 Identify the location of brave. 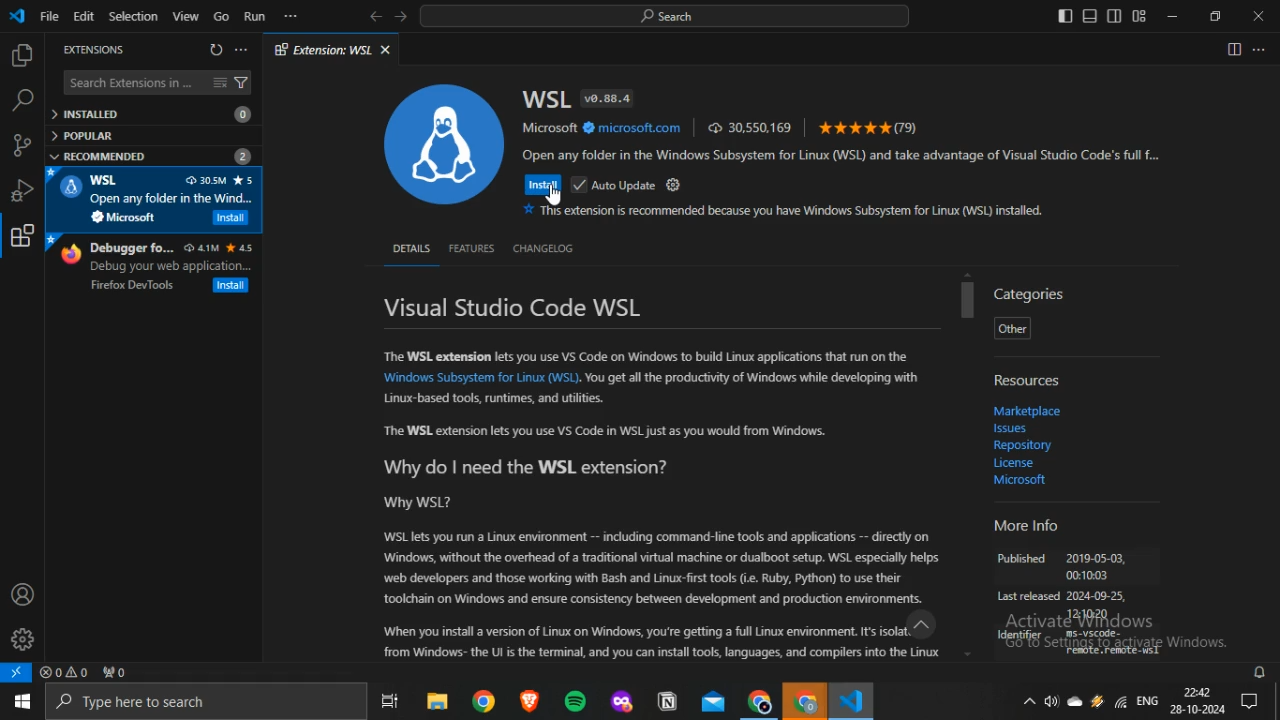
(530, 699).